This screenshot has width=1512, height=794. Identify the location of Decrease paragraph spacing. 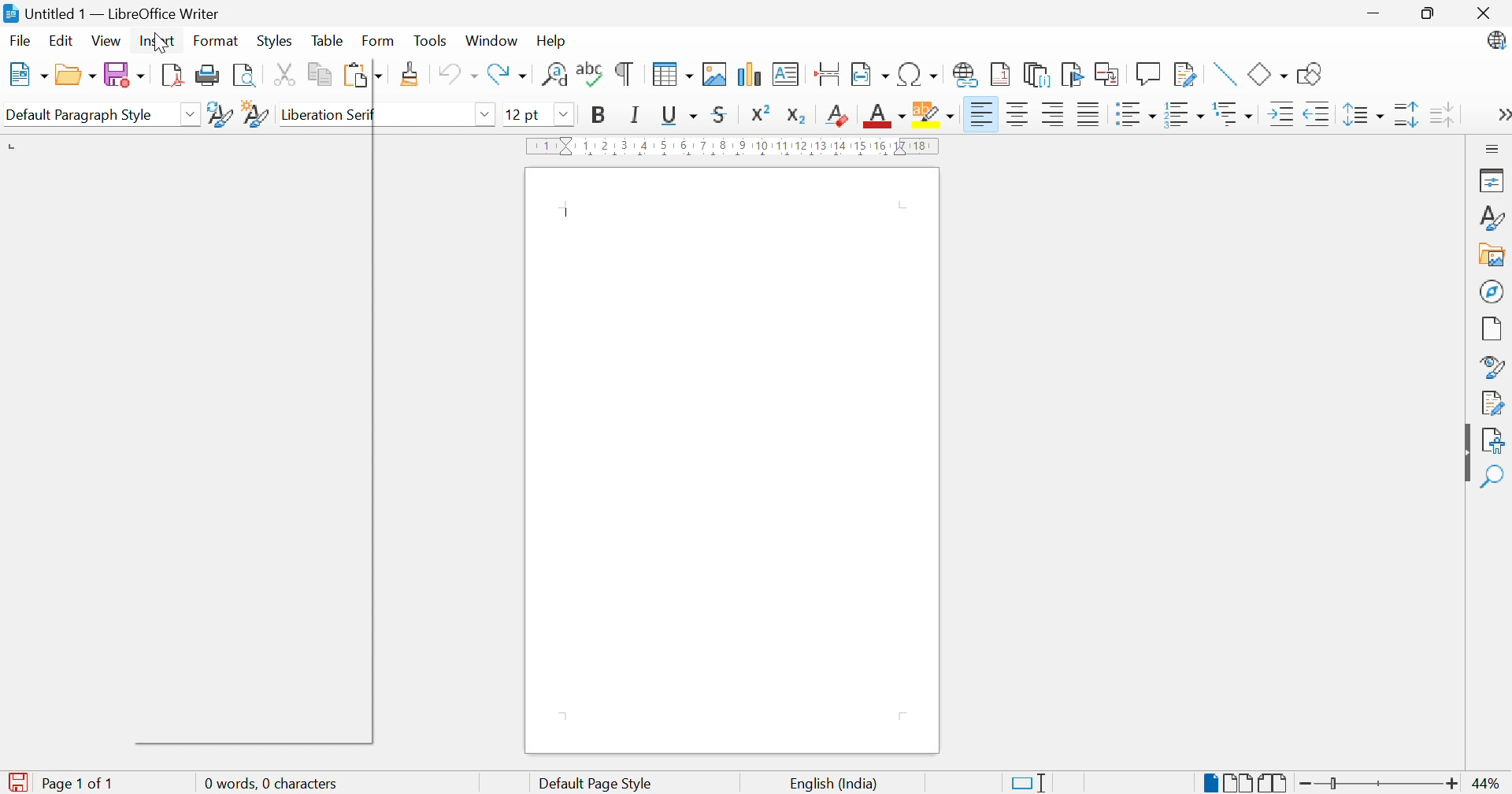
(1441, 113).